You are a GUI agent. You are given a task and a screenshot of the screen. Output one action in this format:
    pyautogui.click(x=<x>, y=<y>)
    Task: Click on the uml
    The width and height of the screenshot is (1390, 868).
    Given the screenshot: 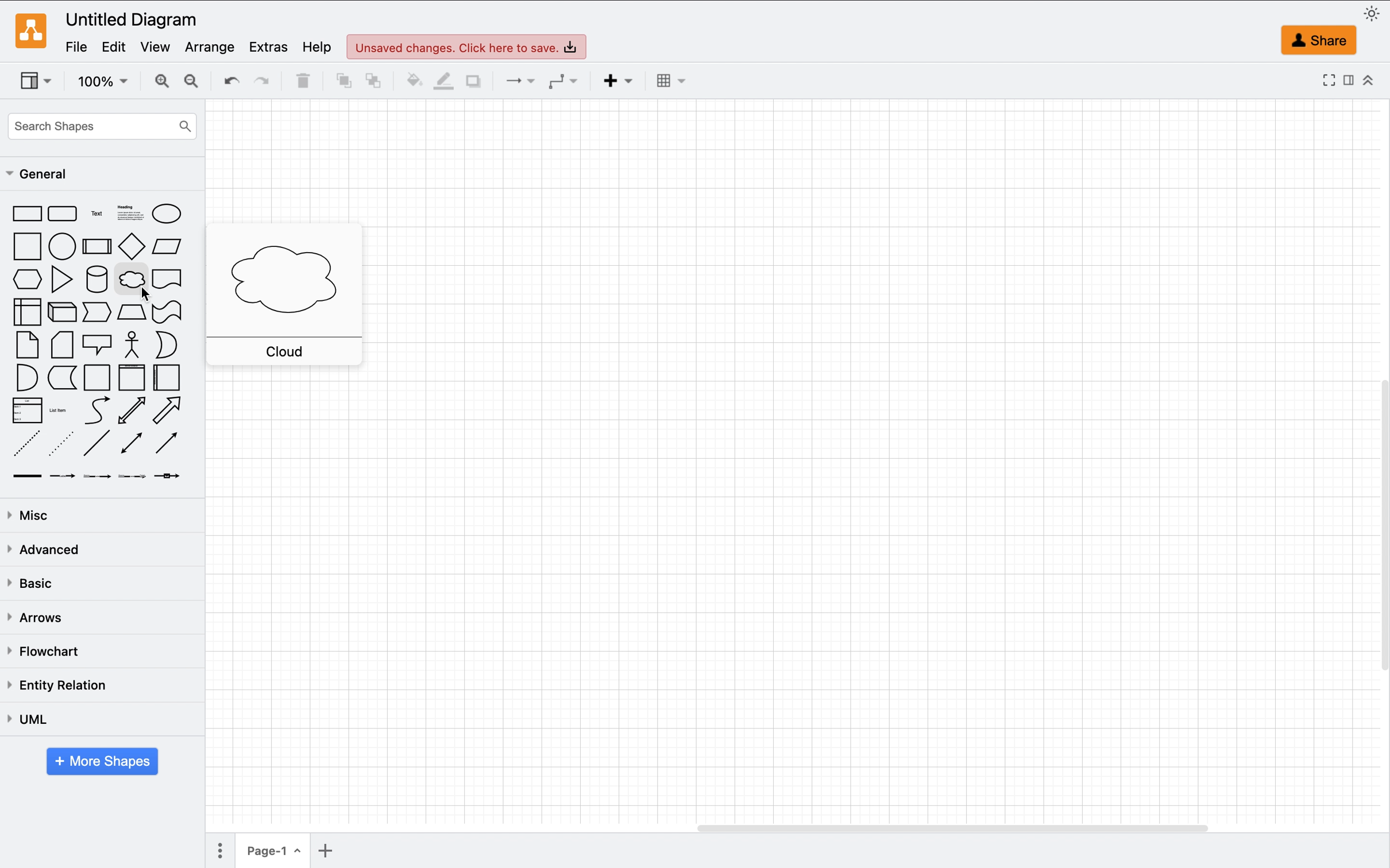 What is the action you would take?
    pyautogui.click(x=31, y=721)
    